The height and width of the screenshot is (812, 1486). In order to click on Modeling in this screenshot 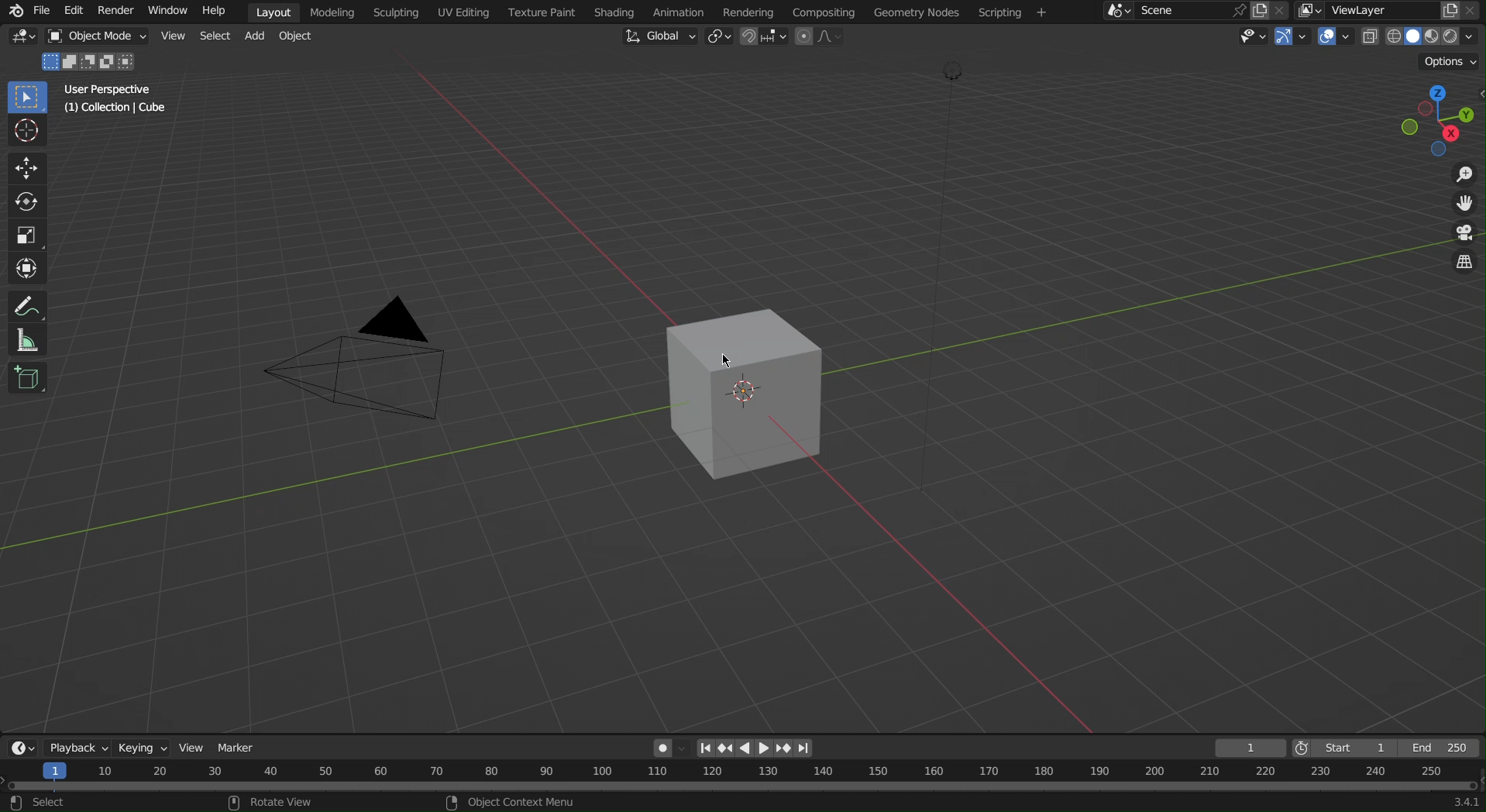, I will do `click(335, 12)`.